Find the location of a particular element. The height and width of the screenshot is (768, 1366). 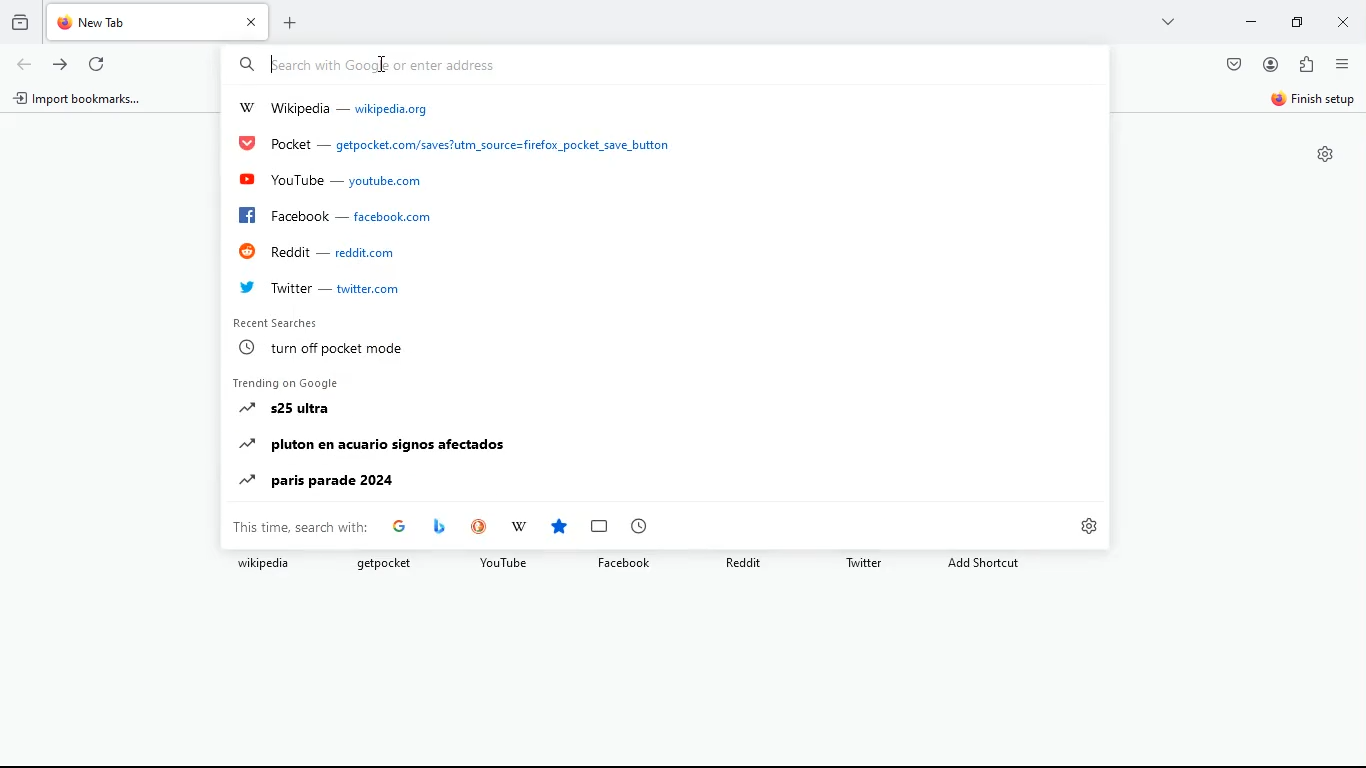

This time, search with: is located at coordinates (300, 527).